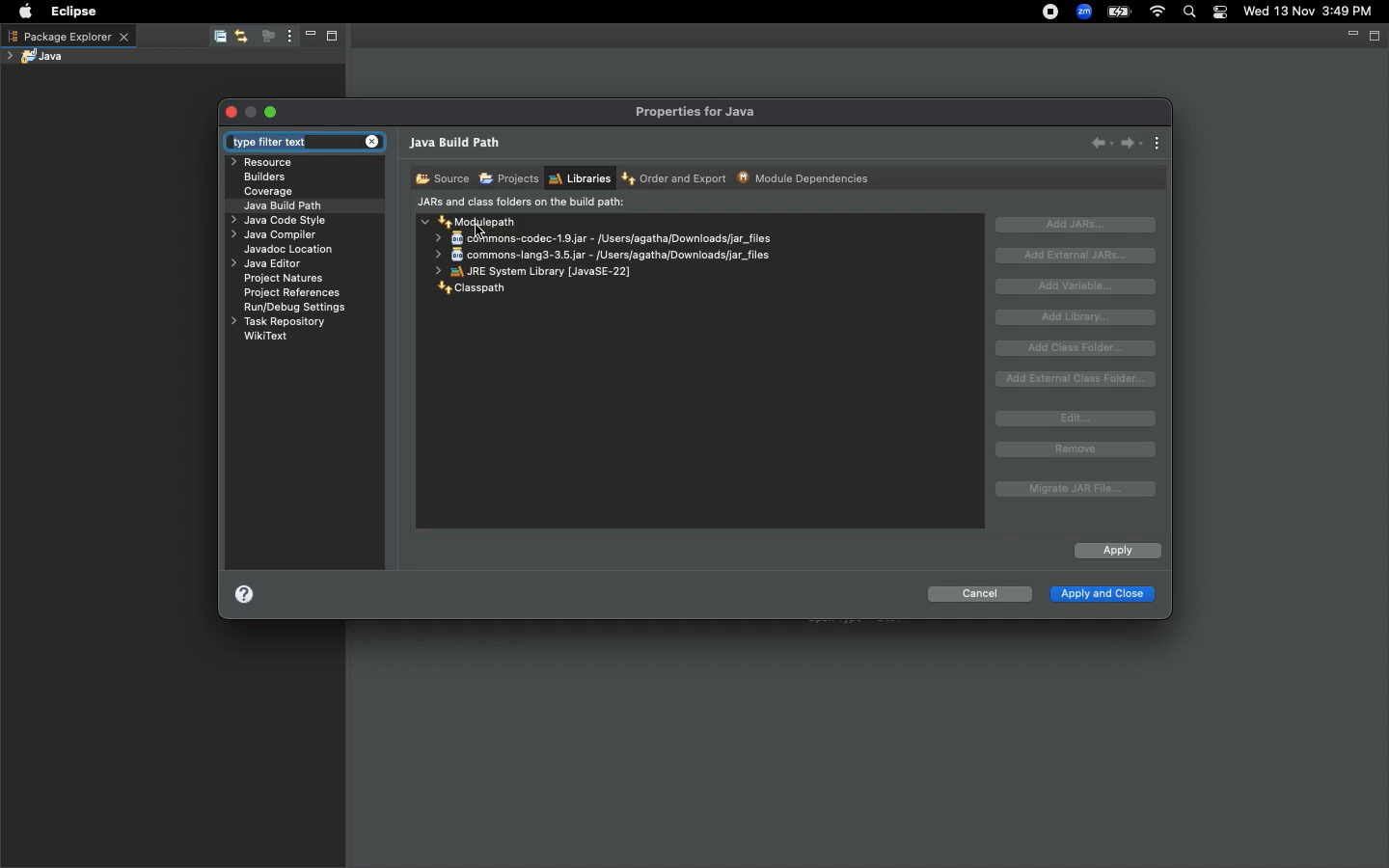  I want to click on Apple logo, so click(25, 12).